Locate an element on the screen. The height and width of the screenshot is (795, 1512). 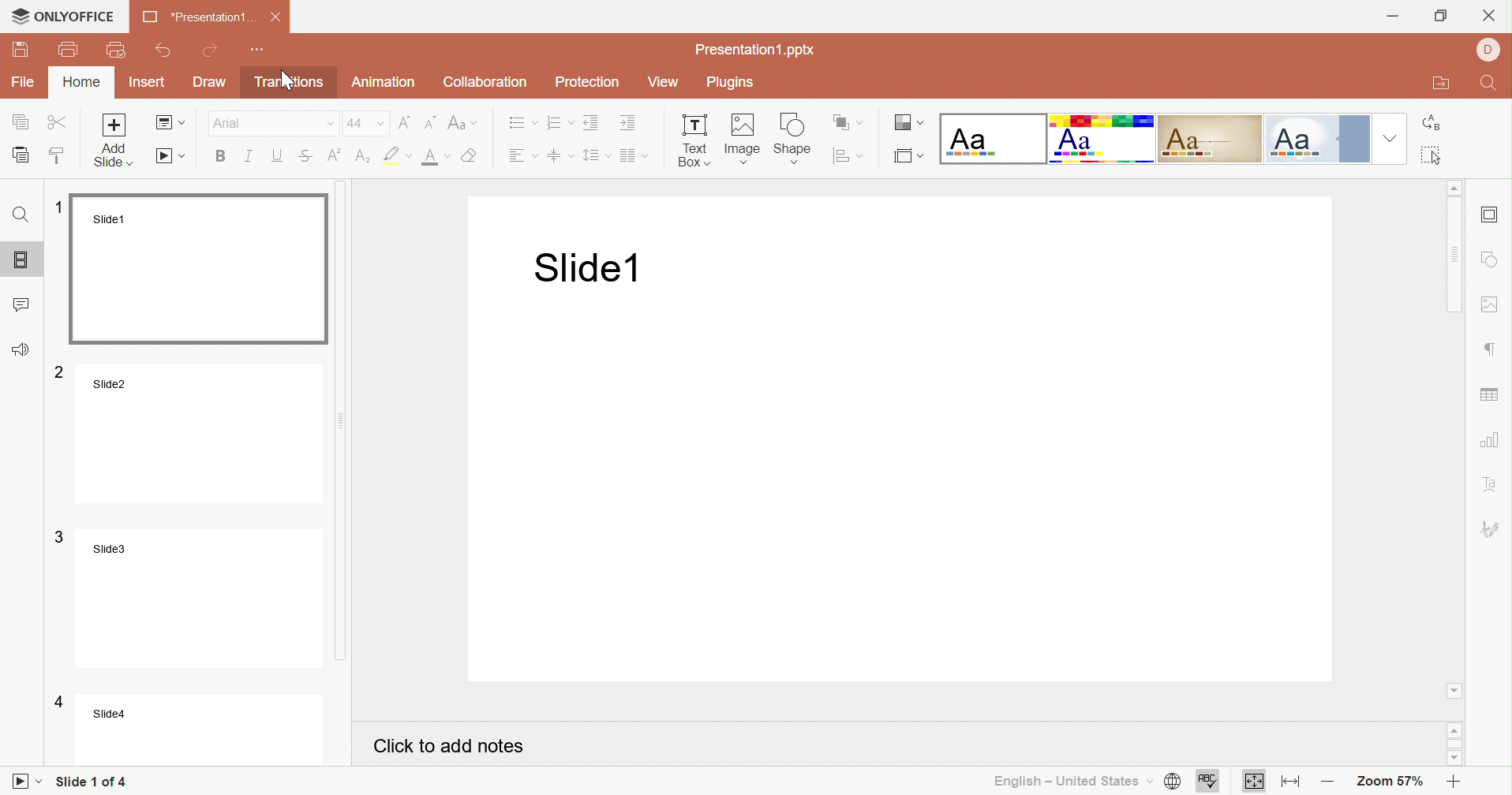
Click to add notes is located at coordinates (449, 746).